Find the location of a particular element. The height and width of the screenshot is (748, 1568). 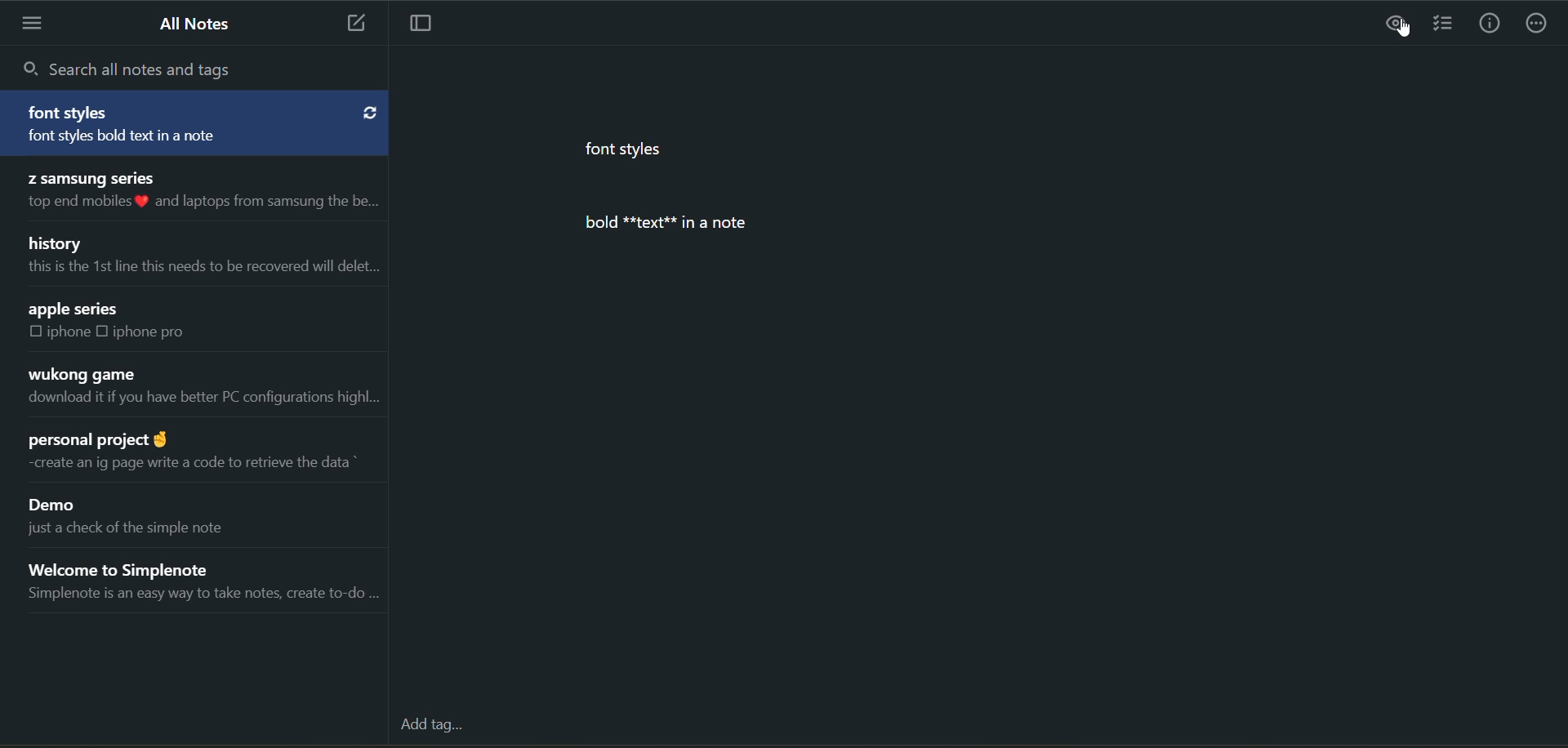

cursor is located at coordinates (1405, 31).